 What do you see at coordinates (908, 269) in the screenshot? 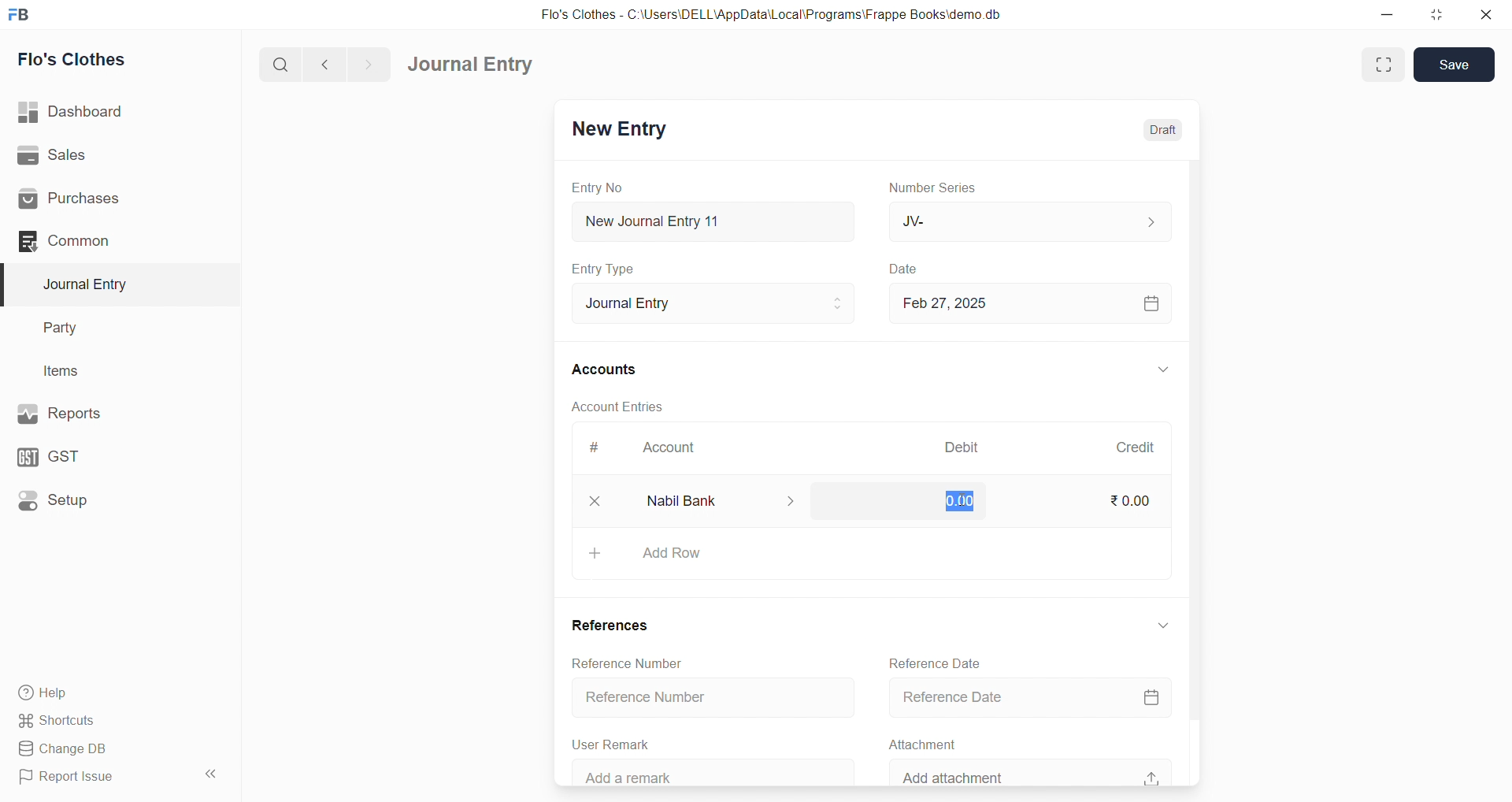
I see `Date` at bounding box center [908, 269].